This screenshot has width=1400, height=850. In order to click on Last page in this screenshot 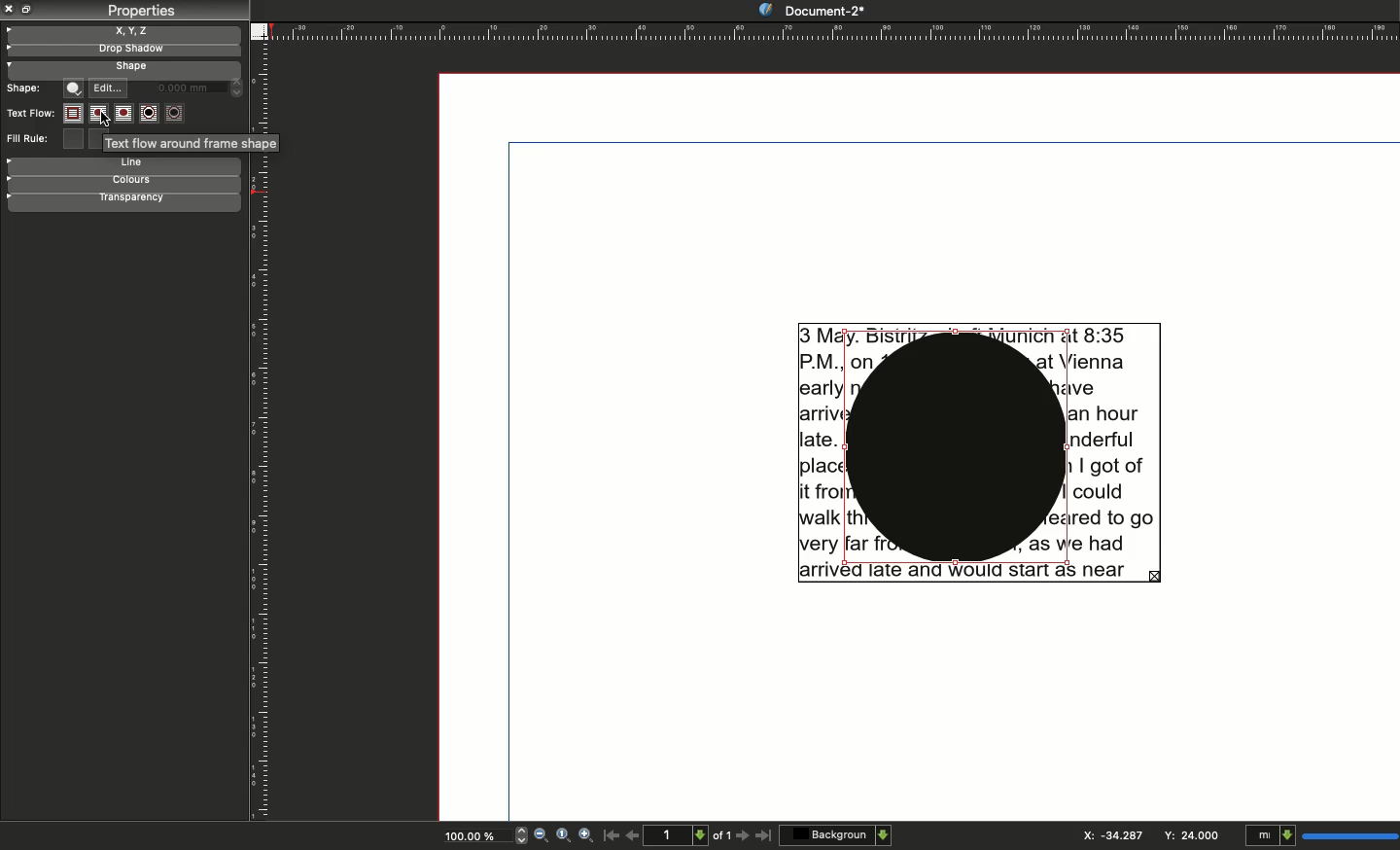, I will do `click(764, 838)`.